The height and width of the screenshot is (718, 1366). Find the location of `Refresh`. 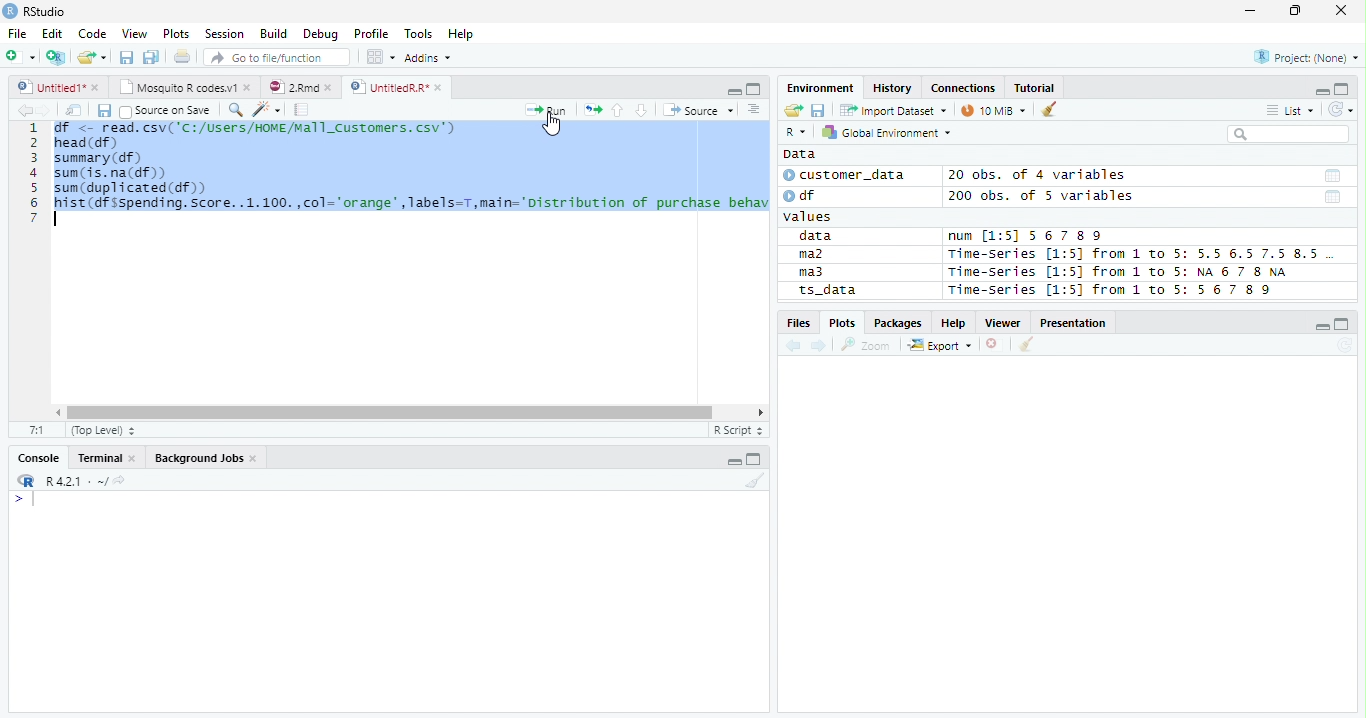

Refresh is located at coordinates (1341, 107).